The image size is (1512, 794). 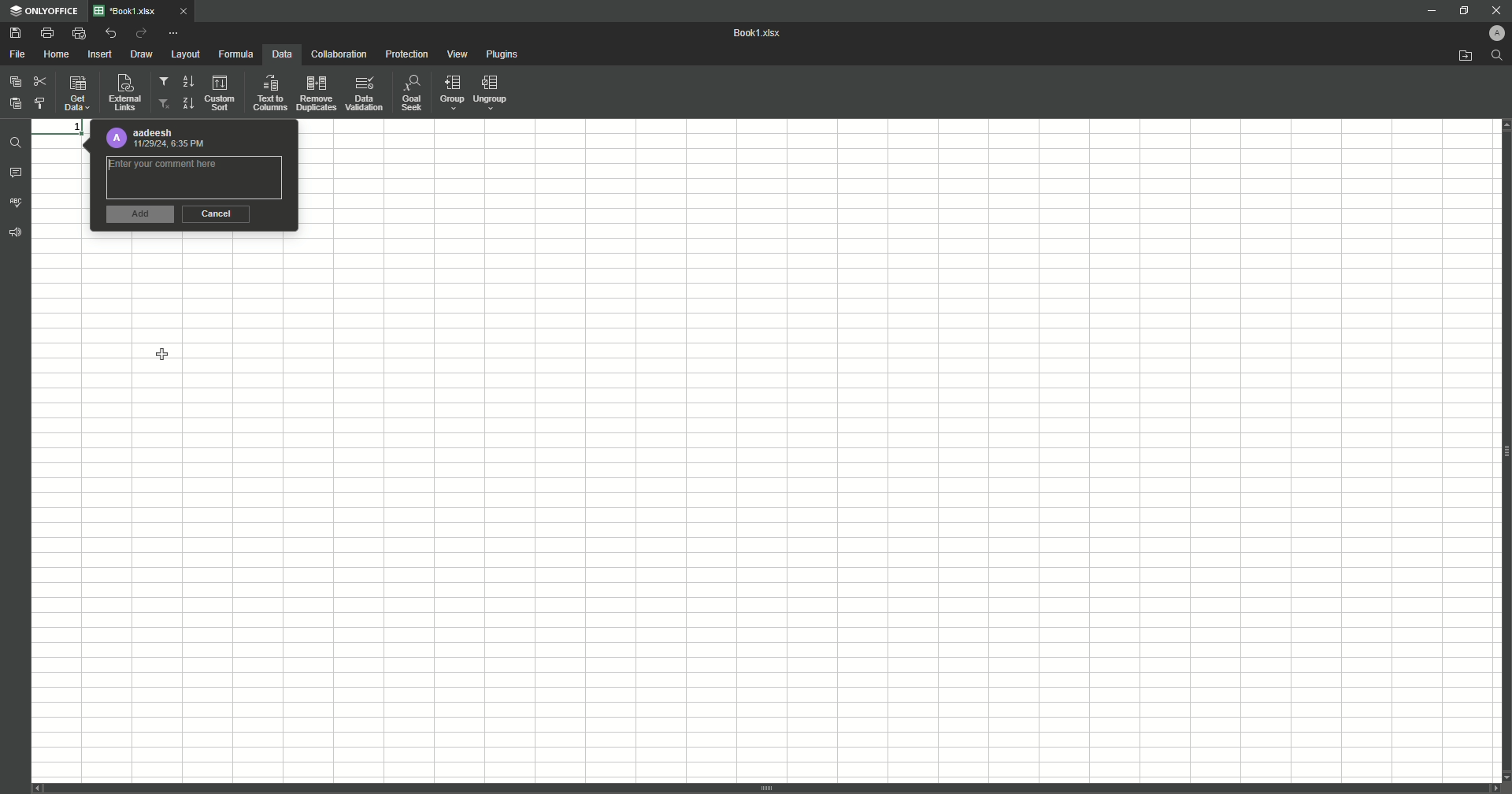 I want to click on Insert, so click(x=100, y=54).